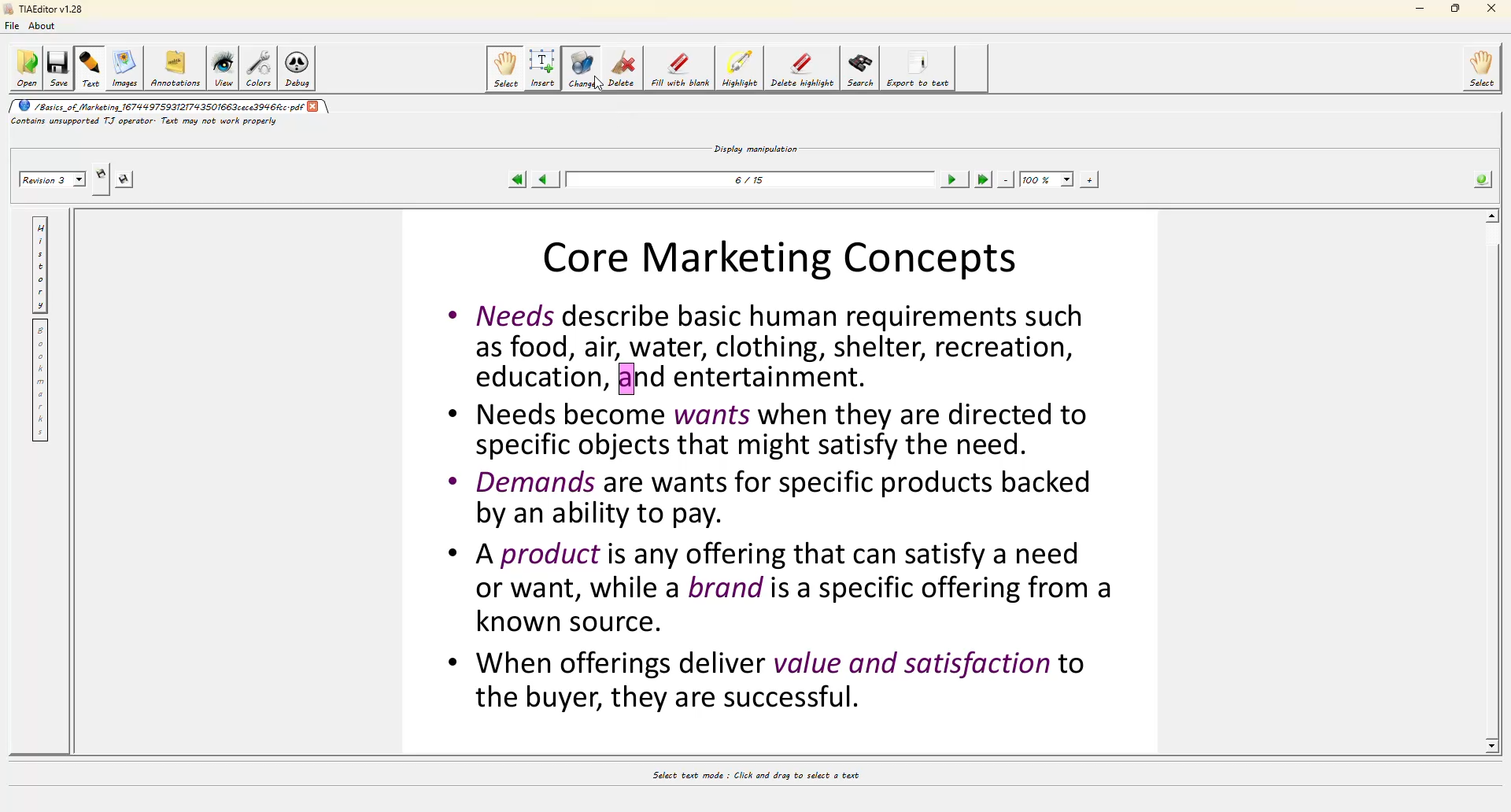  I want to click on highlight, so click(740, 71).